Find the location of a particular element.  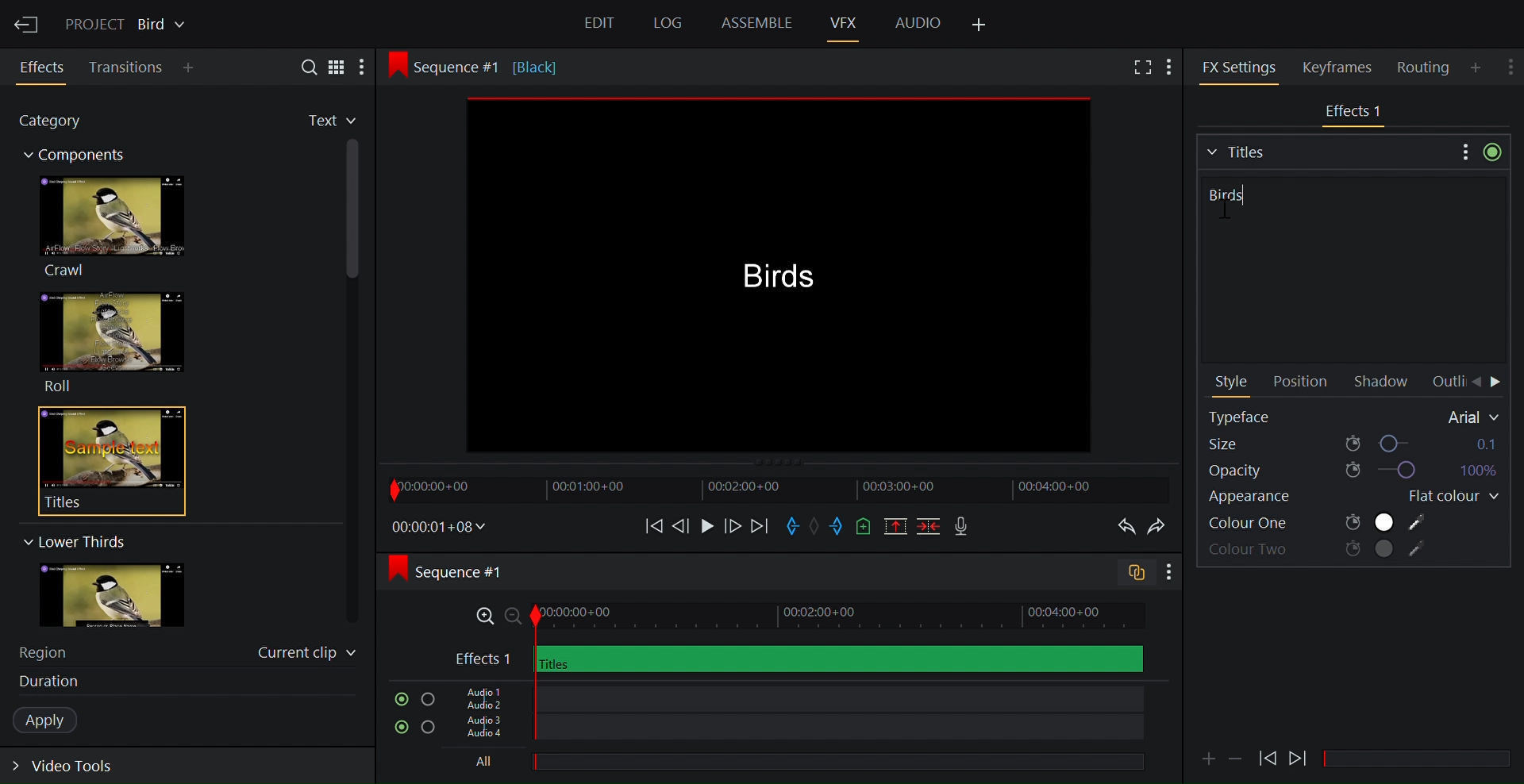

Sequence is located at coordinates (495, 66).